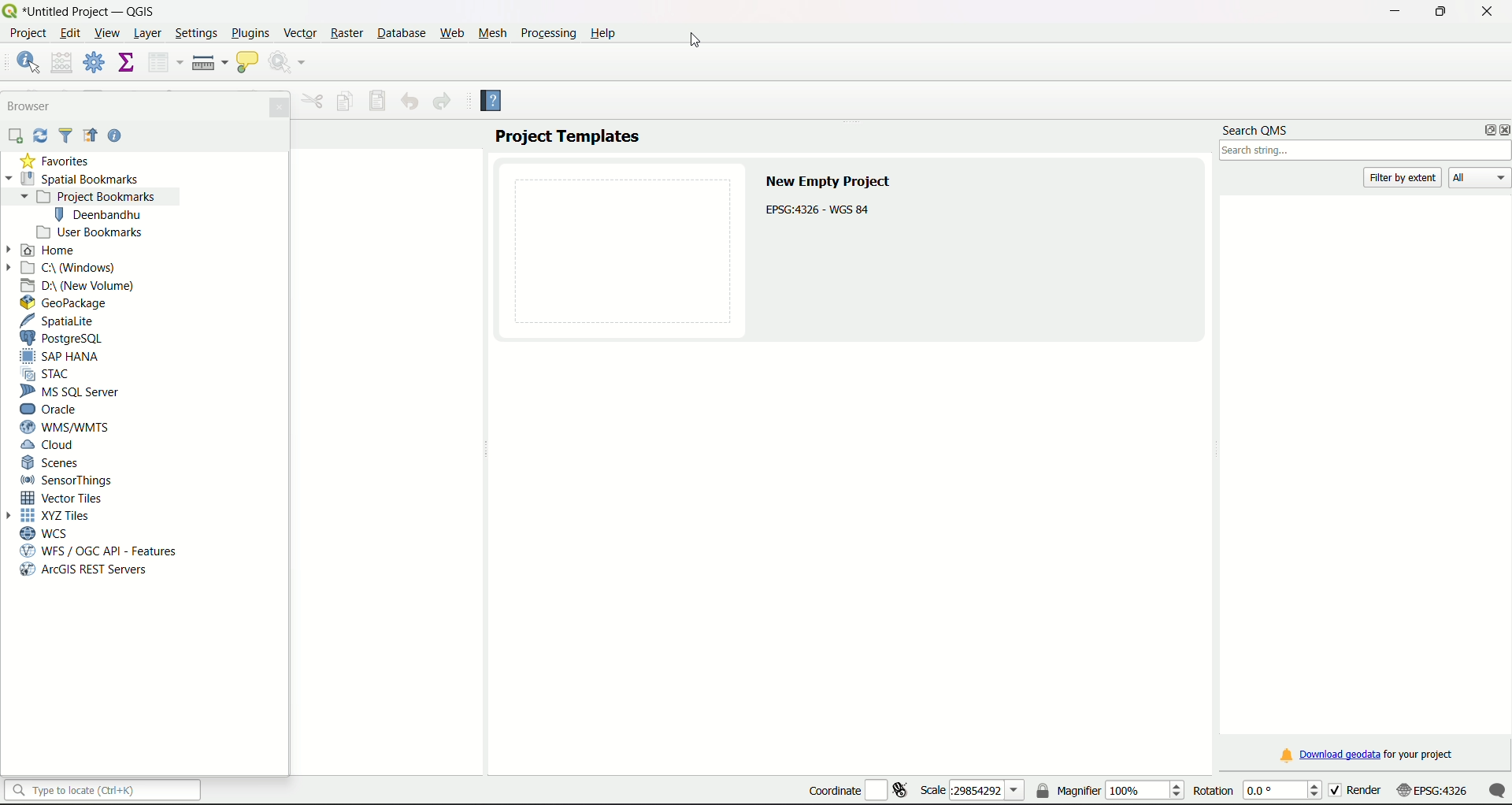  What do you see at coordinates (344, 102) in the screenshot?
I see `Copy feature` at bounding box center [344, 102].